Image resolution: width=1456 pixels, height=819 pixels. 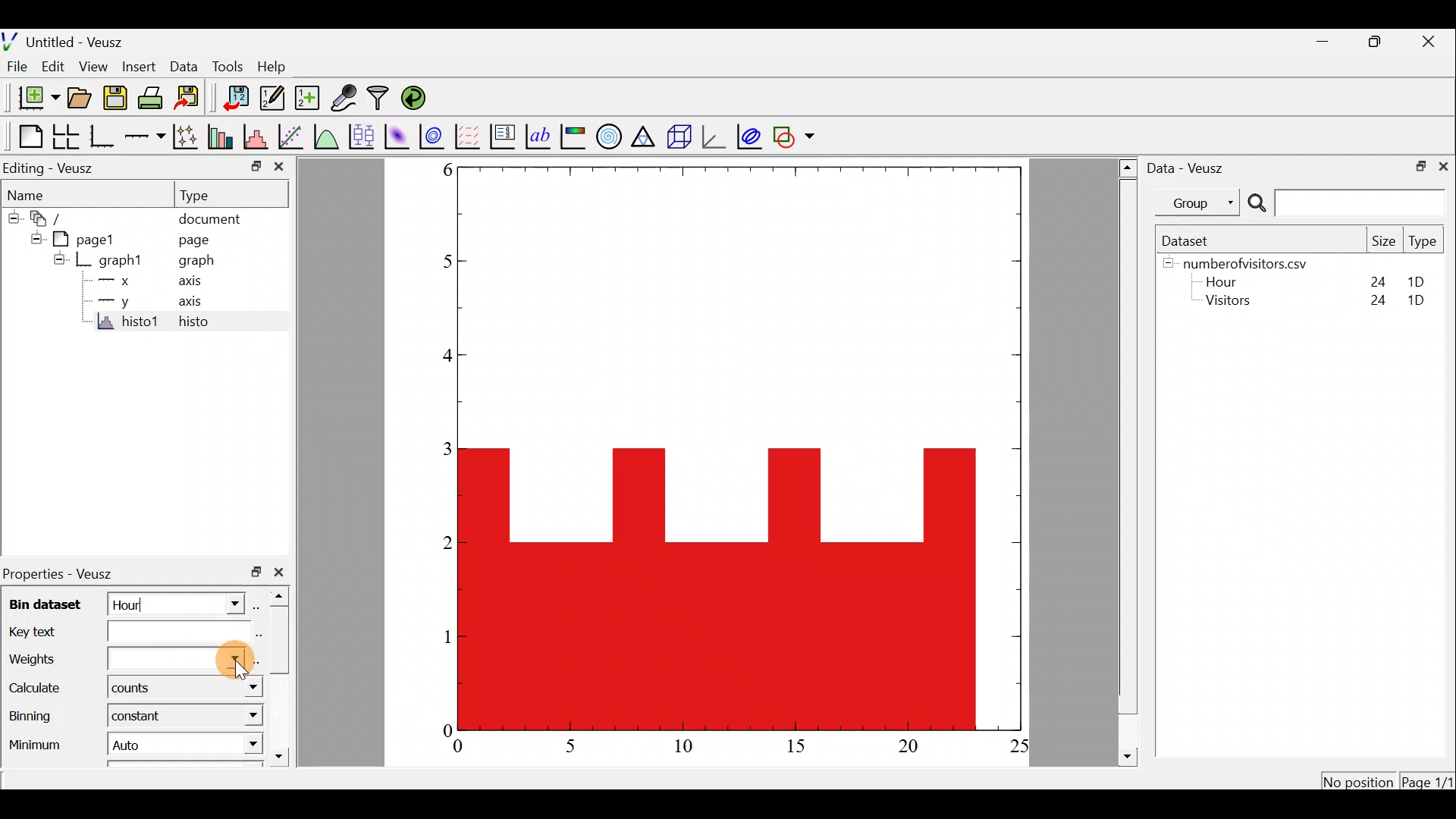 I want to click on x, so click(x=124, y=280).